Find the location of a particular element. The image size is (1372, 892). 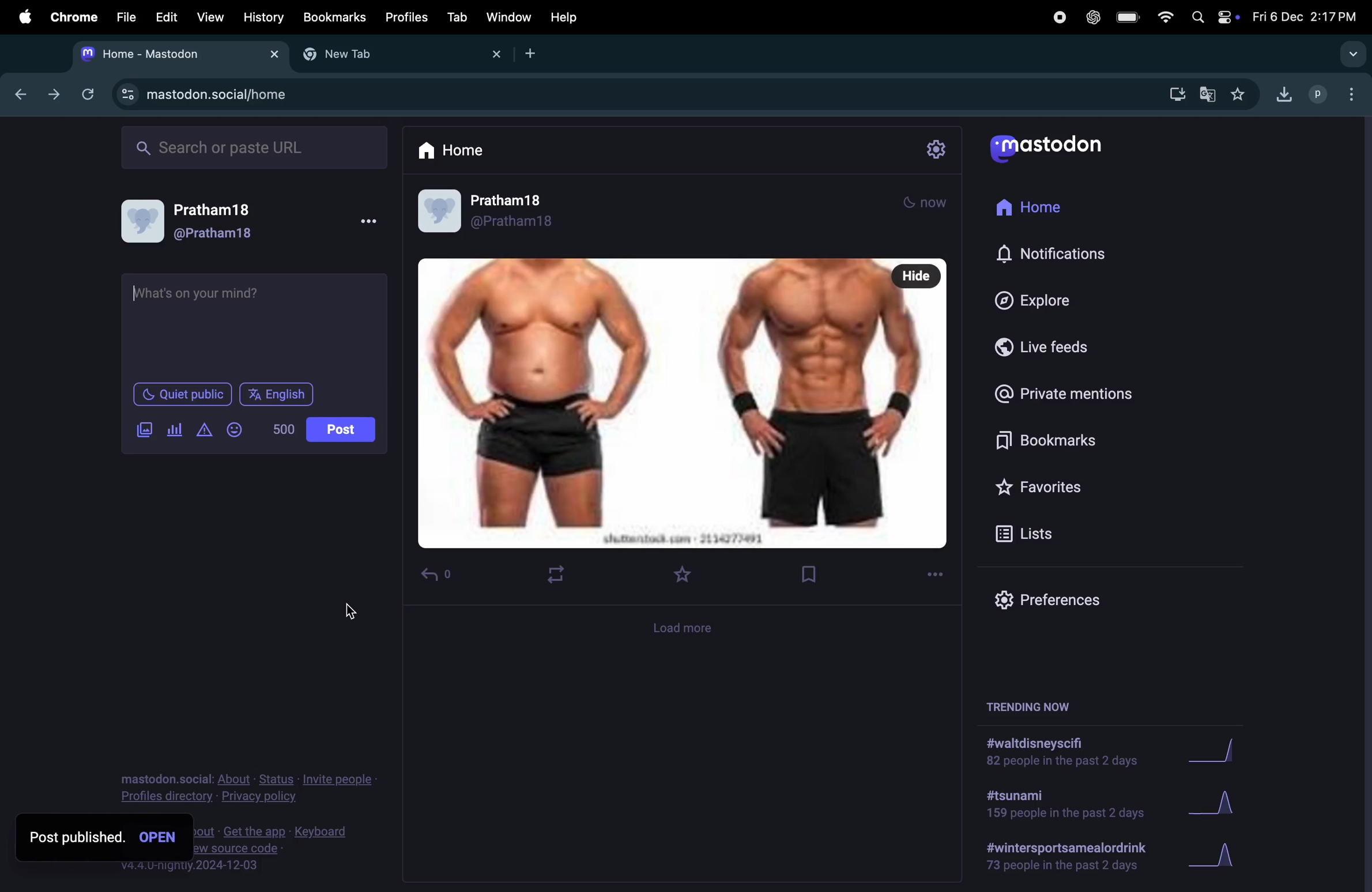

List is located at coordinates (1045, 535).